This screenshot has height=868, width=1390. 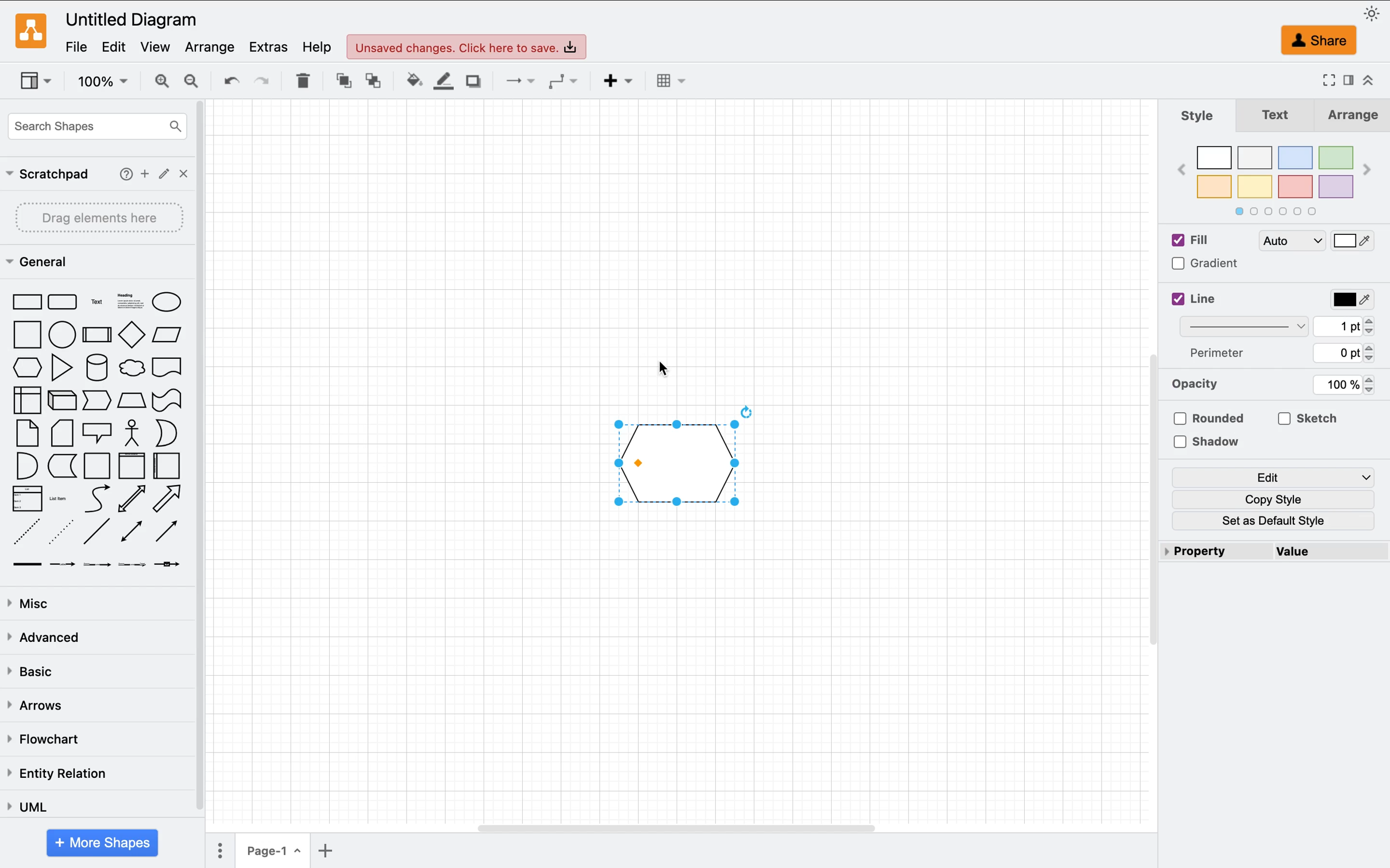 I want to click on uml, so click(x=25, y=805).